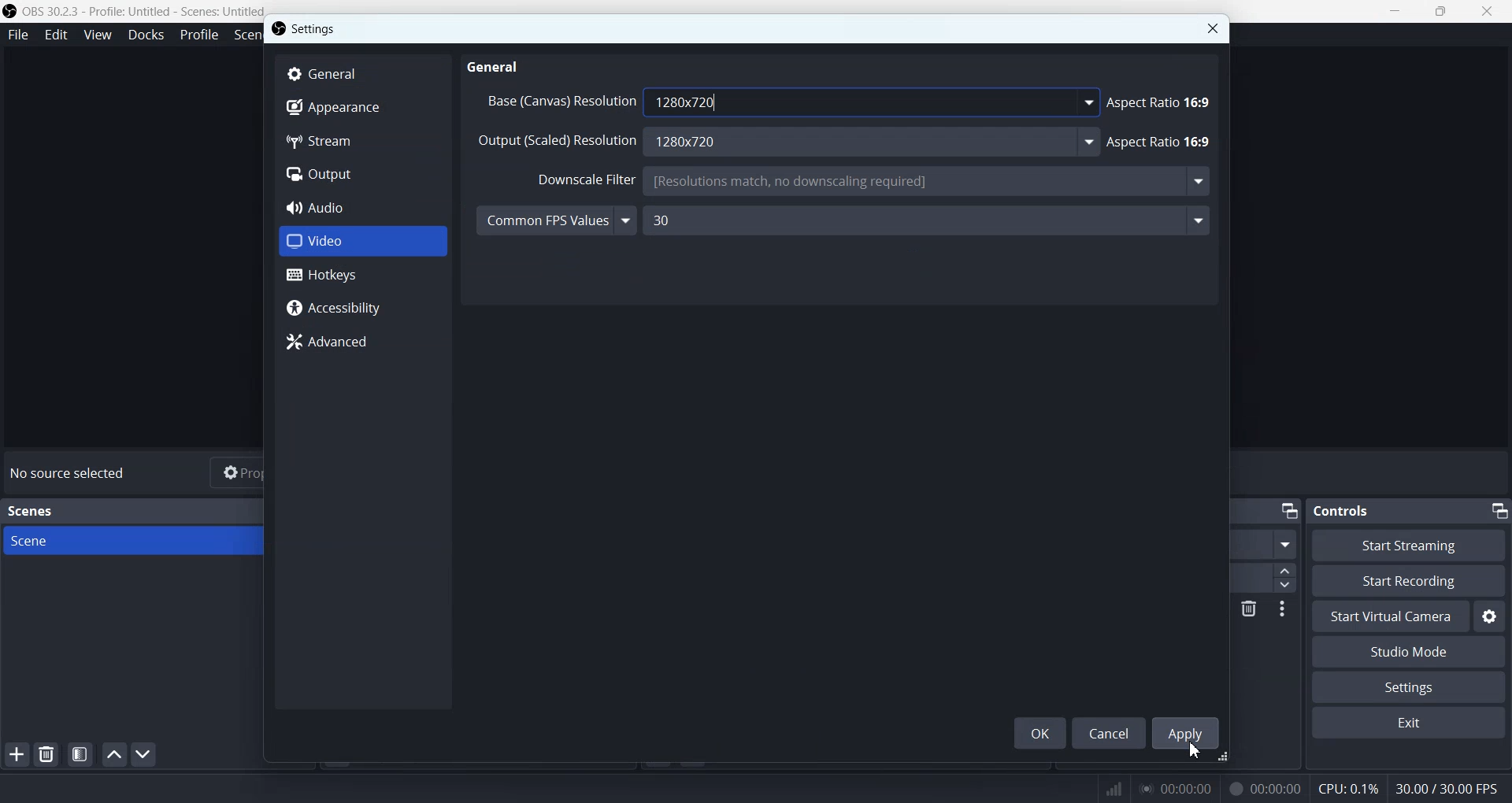 This screenshot has height=803, width=1512. What do you see at coordinates (144, 754) in the screenshot?
I see `Move scene Down` at bounding box center [144, 754].